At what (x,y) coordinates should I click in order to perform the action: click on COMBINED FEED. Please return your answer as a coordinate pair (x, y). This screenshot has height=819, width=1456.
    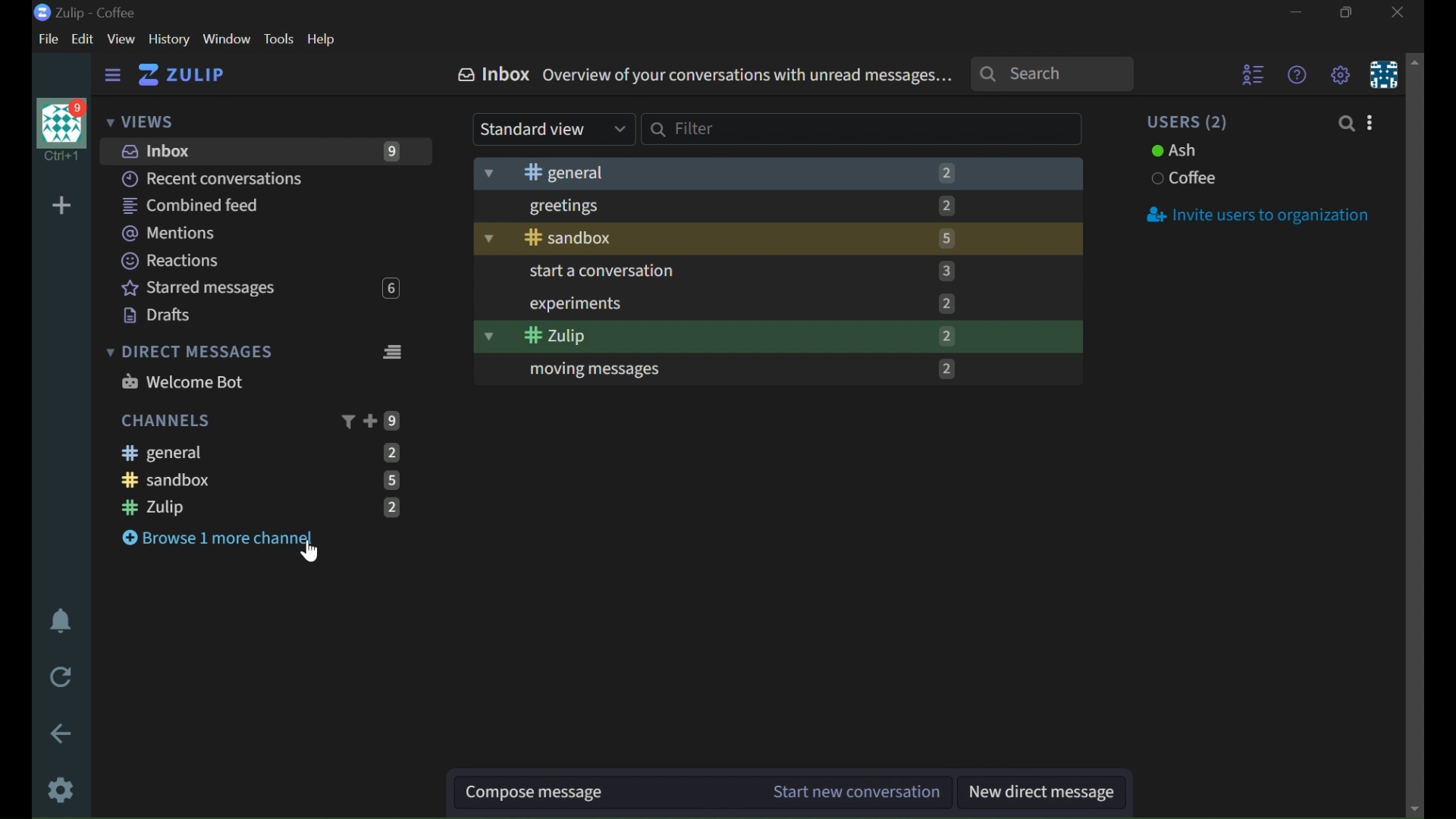
    Looking at the image, I should click on (246, 204).